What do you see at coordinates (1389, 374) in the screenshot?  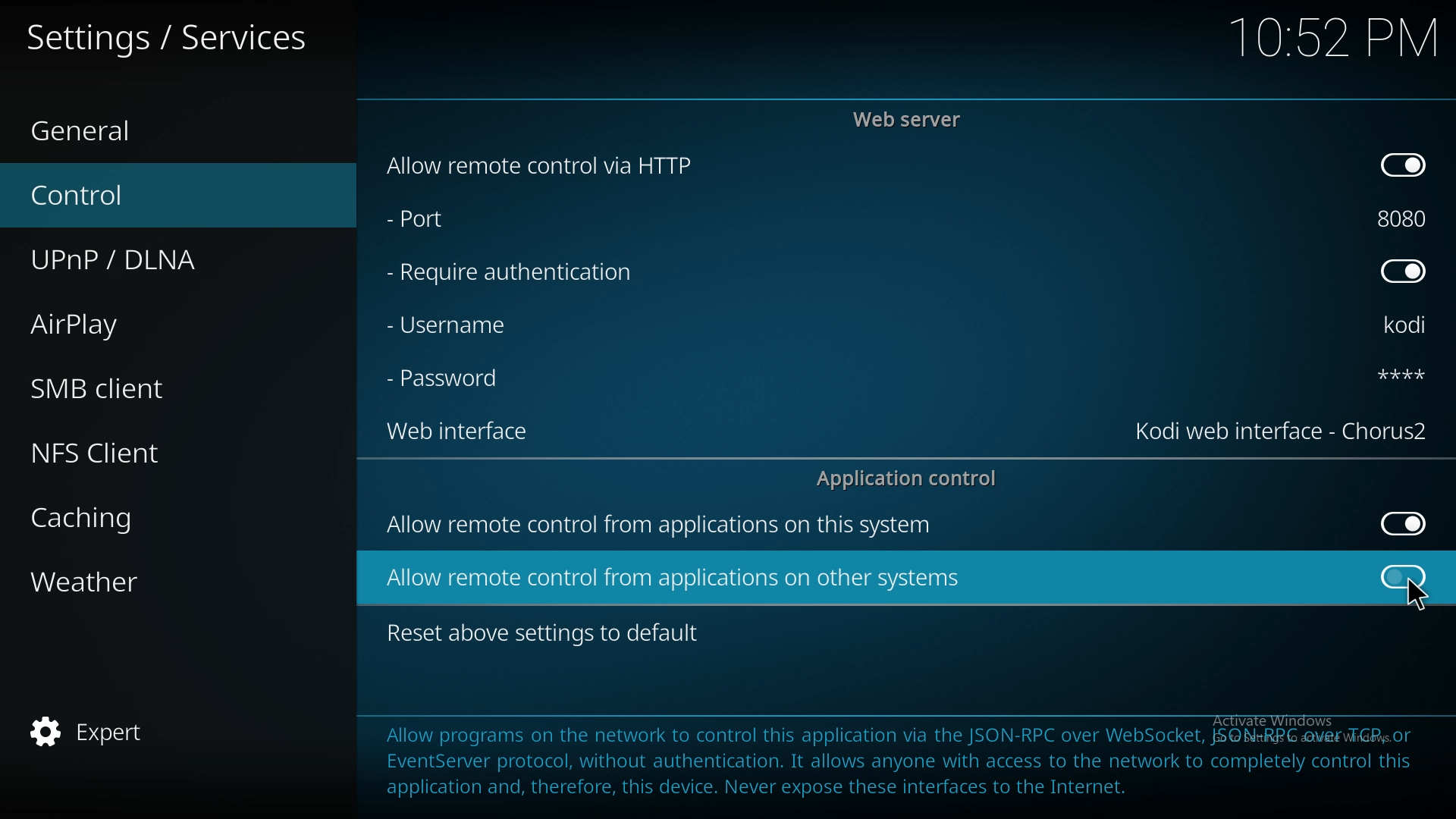 I see `password` at bounding box center [1389, 374].